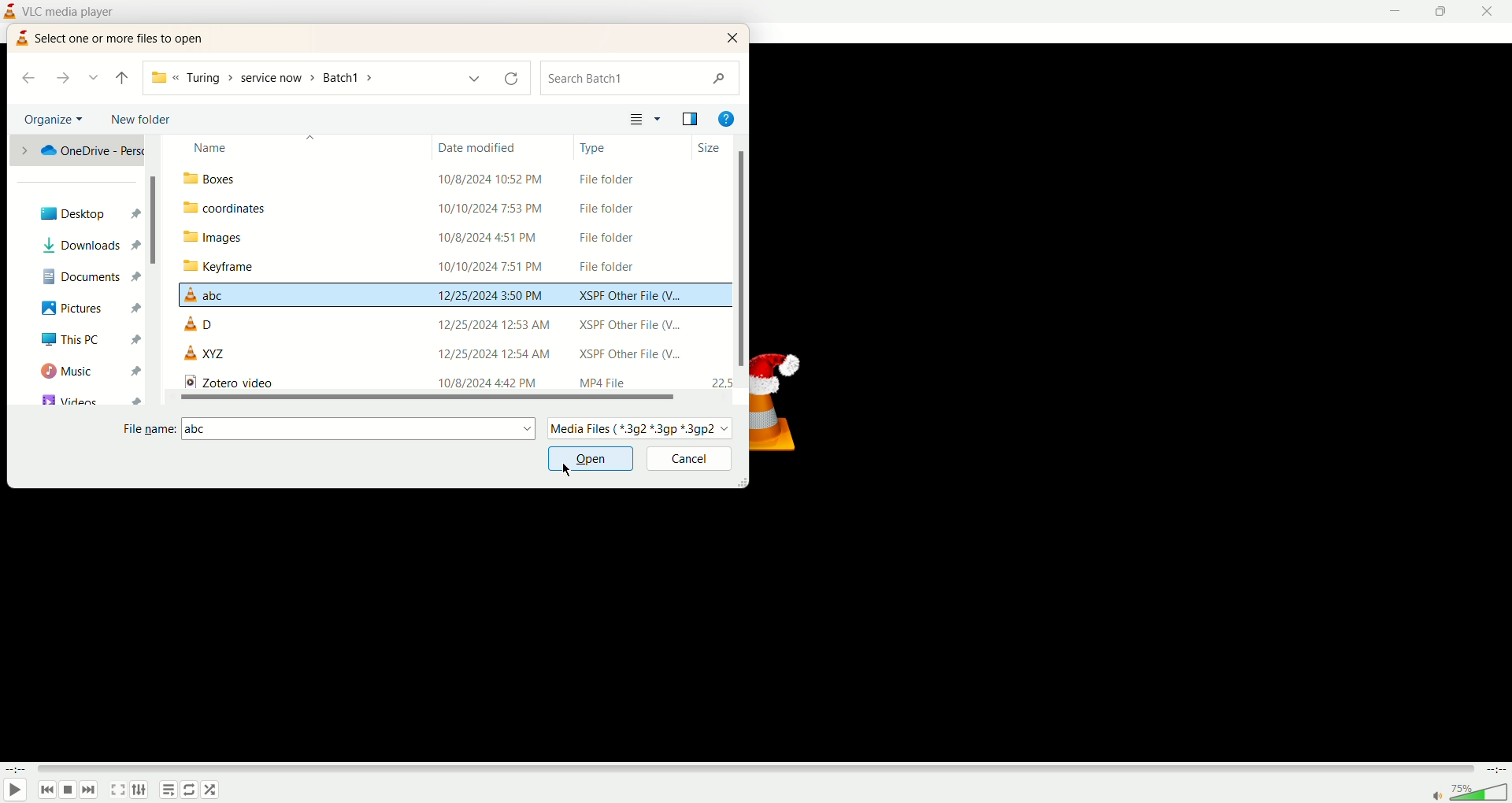  I want to click on stop, so click(69, 790).